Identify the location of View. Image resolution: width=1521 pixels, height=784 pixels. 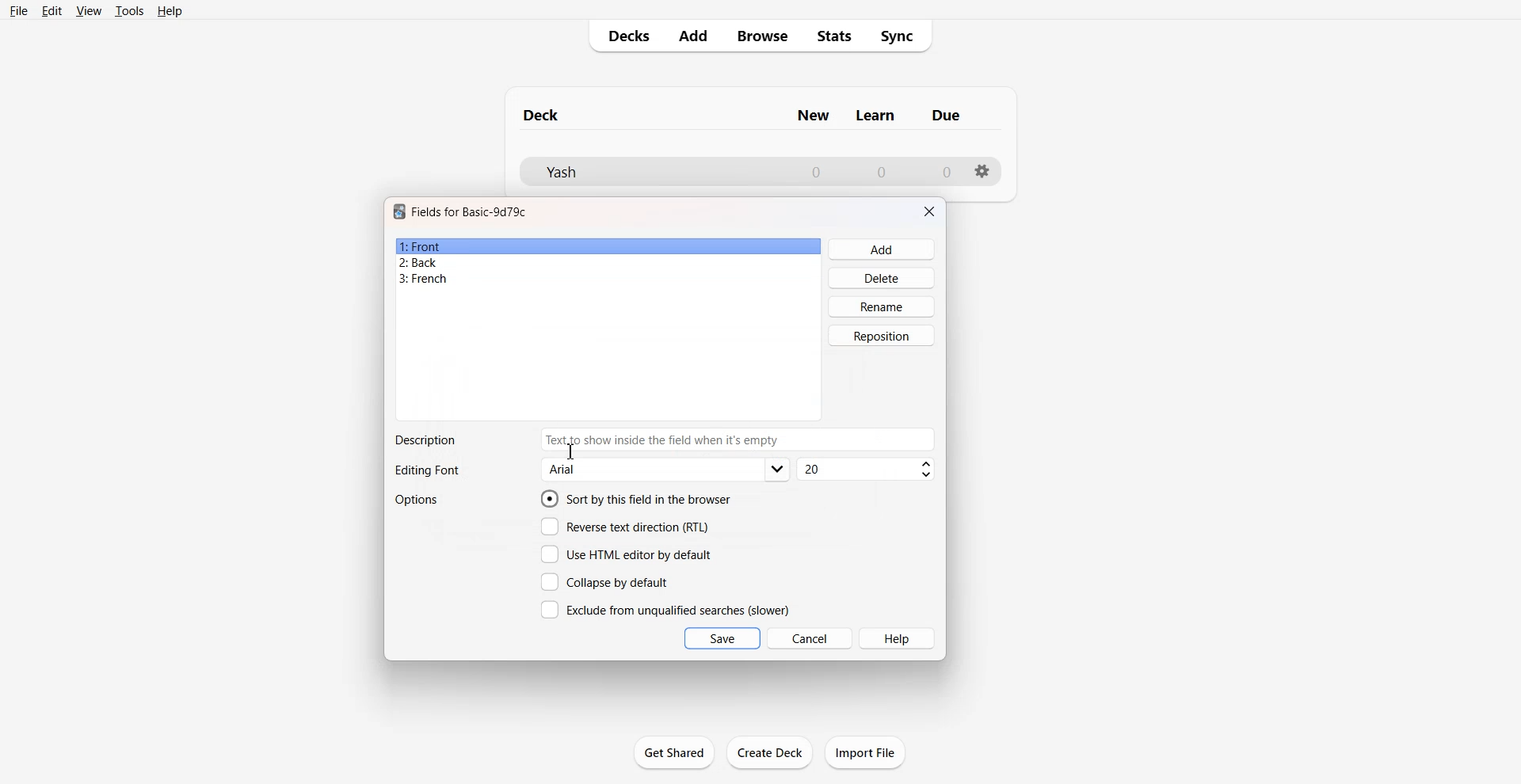
(90, 10).